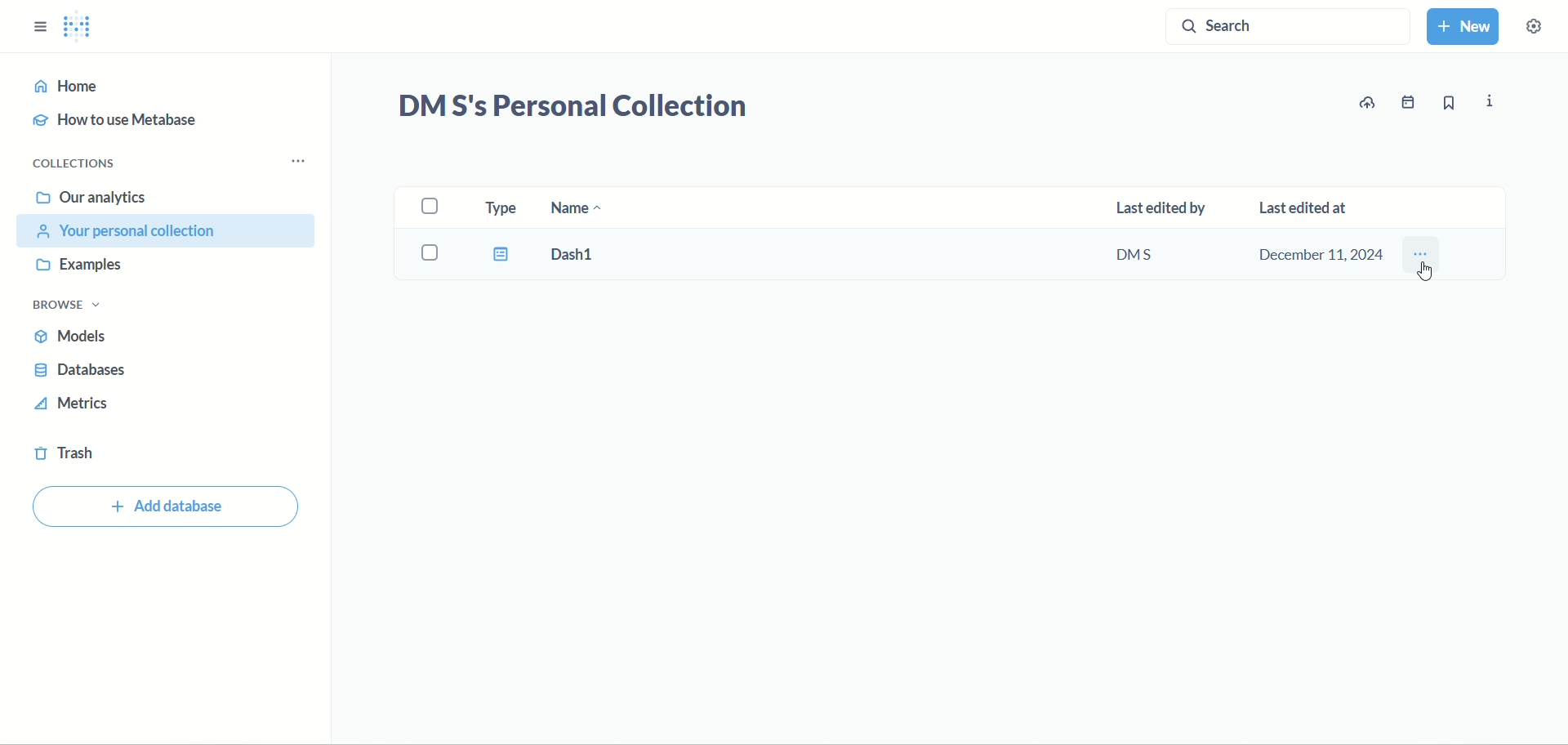 This screenshot has width=1568, height=745. Describe the element at coordinates (433, 207) in the screenshot. I see `select all checkbox` at that location.